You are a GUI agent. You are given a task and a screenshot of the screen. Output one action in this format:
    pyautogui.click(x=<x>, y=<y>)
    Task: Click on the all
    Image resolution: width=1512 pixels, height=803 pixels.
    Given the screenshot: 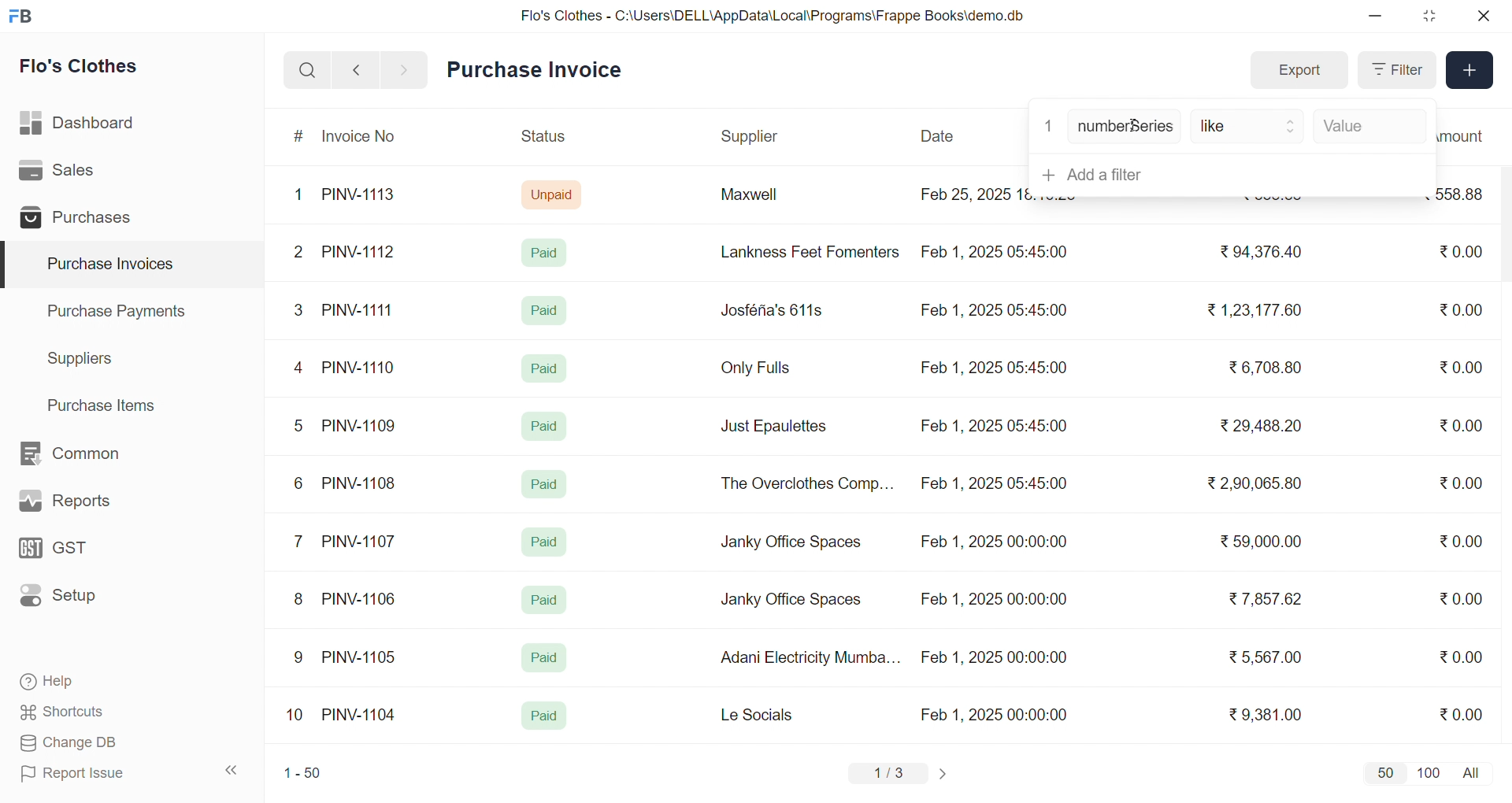 What is the action you would take?
    pyautogui.click(x=1474, y=772)
    